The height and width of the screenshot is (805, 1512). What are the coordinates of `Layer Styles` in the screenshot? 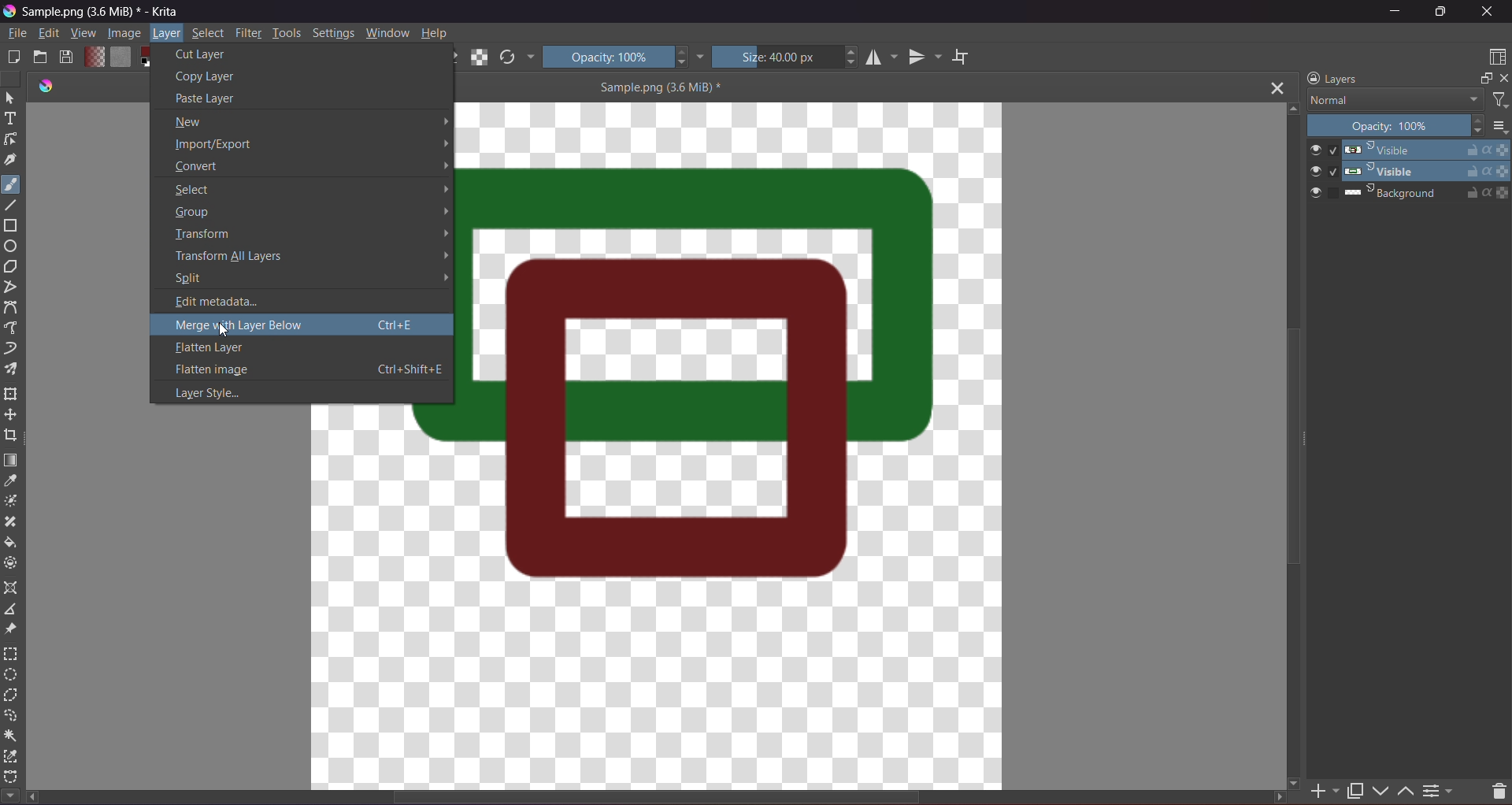 It's located at (301, 391).